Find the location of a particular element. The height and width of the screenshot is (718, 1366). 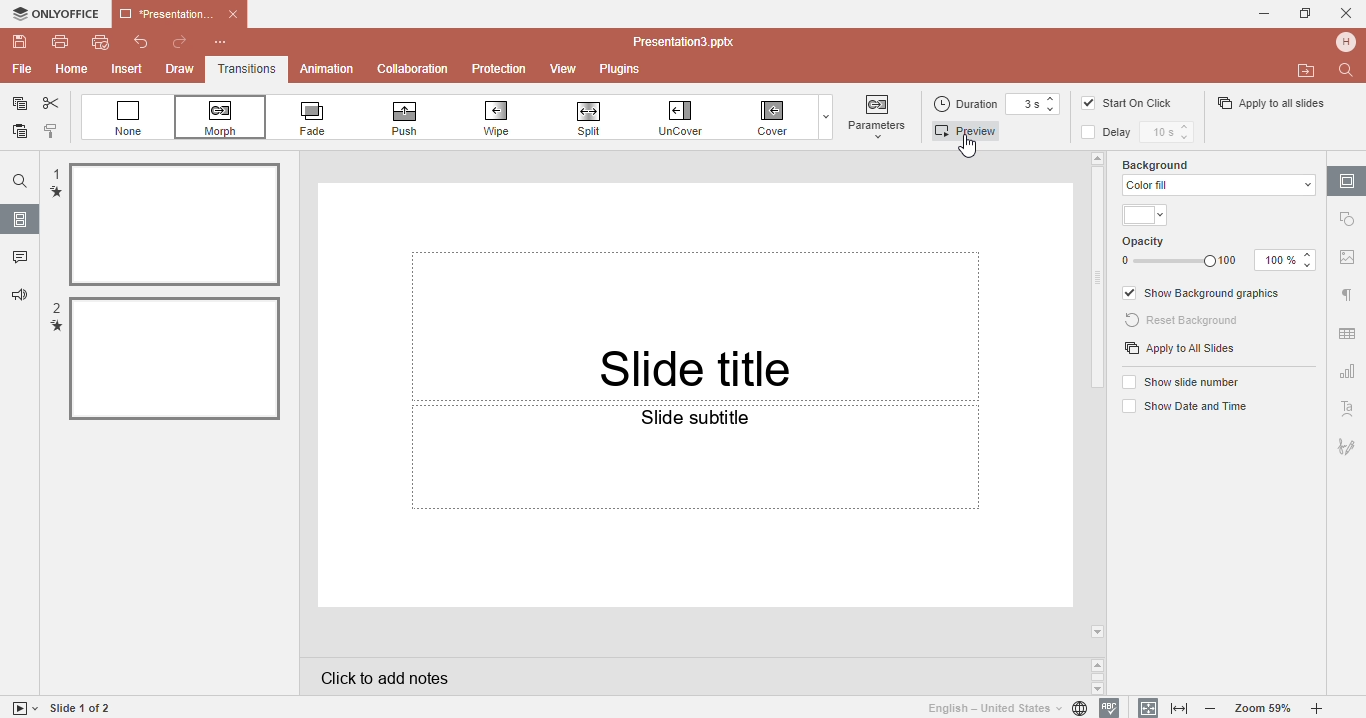

Profile name is located at coordinates (1348, 41).